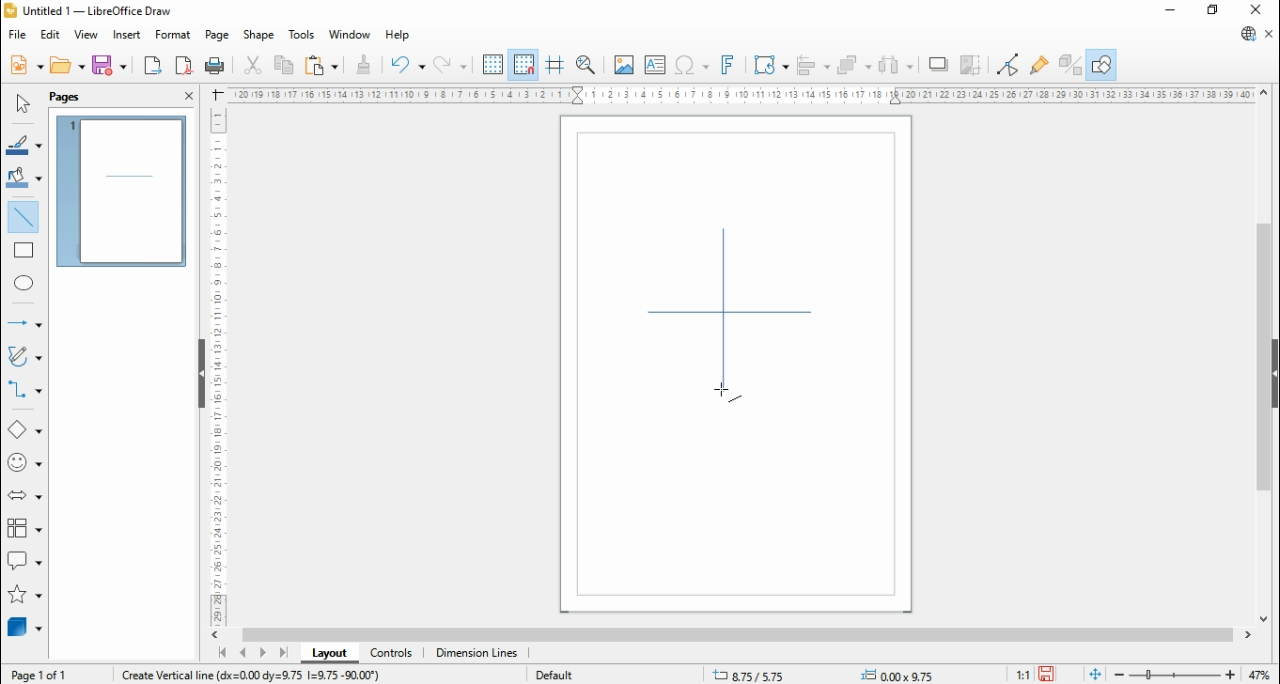 This screenshot has height=684, width=1280. Describe the element at coordinates (451, 64) in the screenshot. I see `redo` at that location.